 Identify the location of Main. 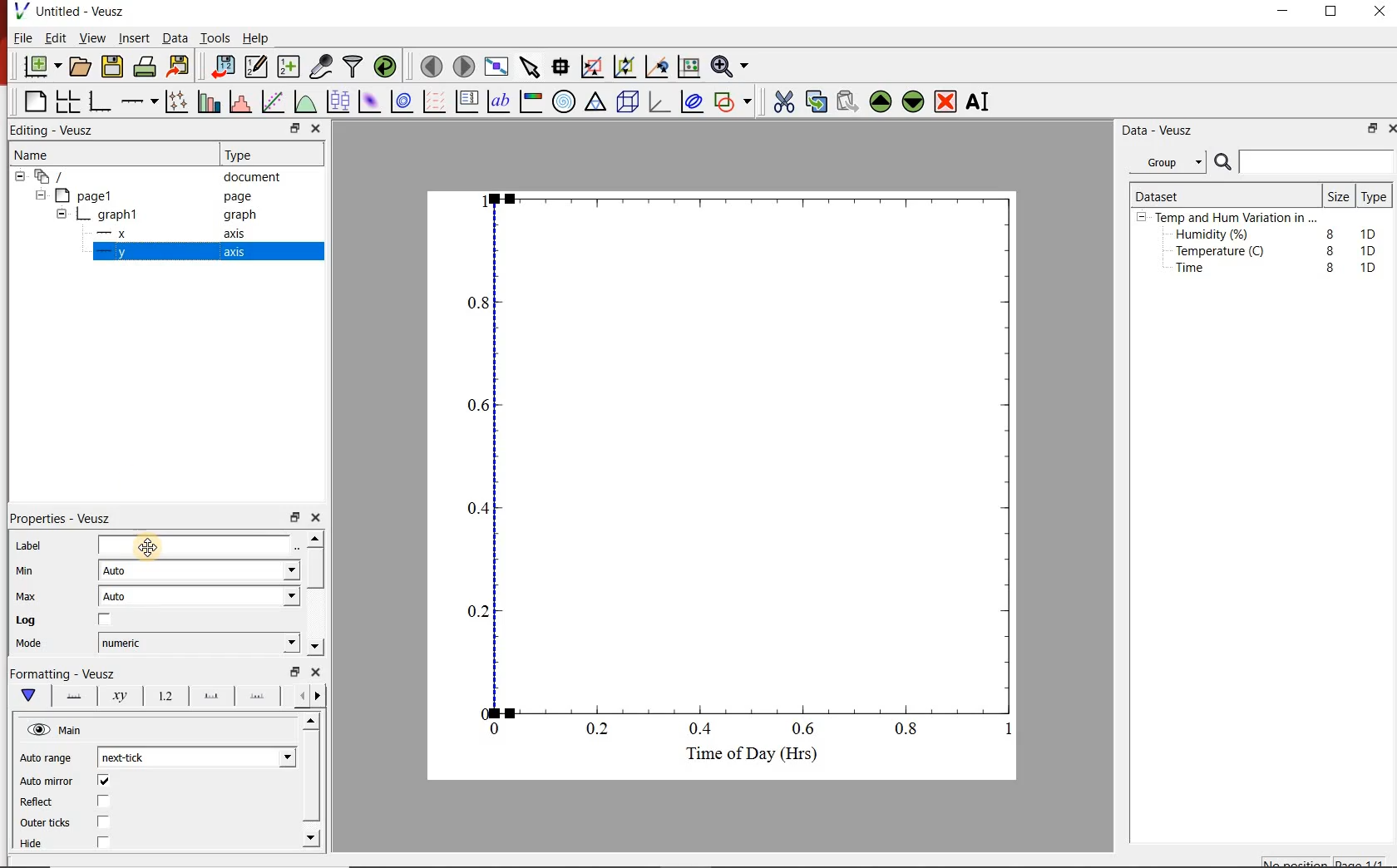
(82, 732).